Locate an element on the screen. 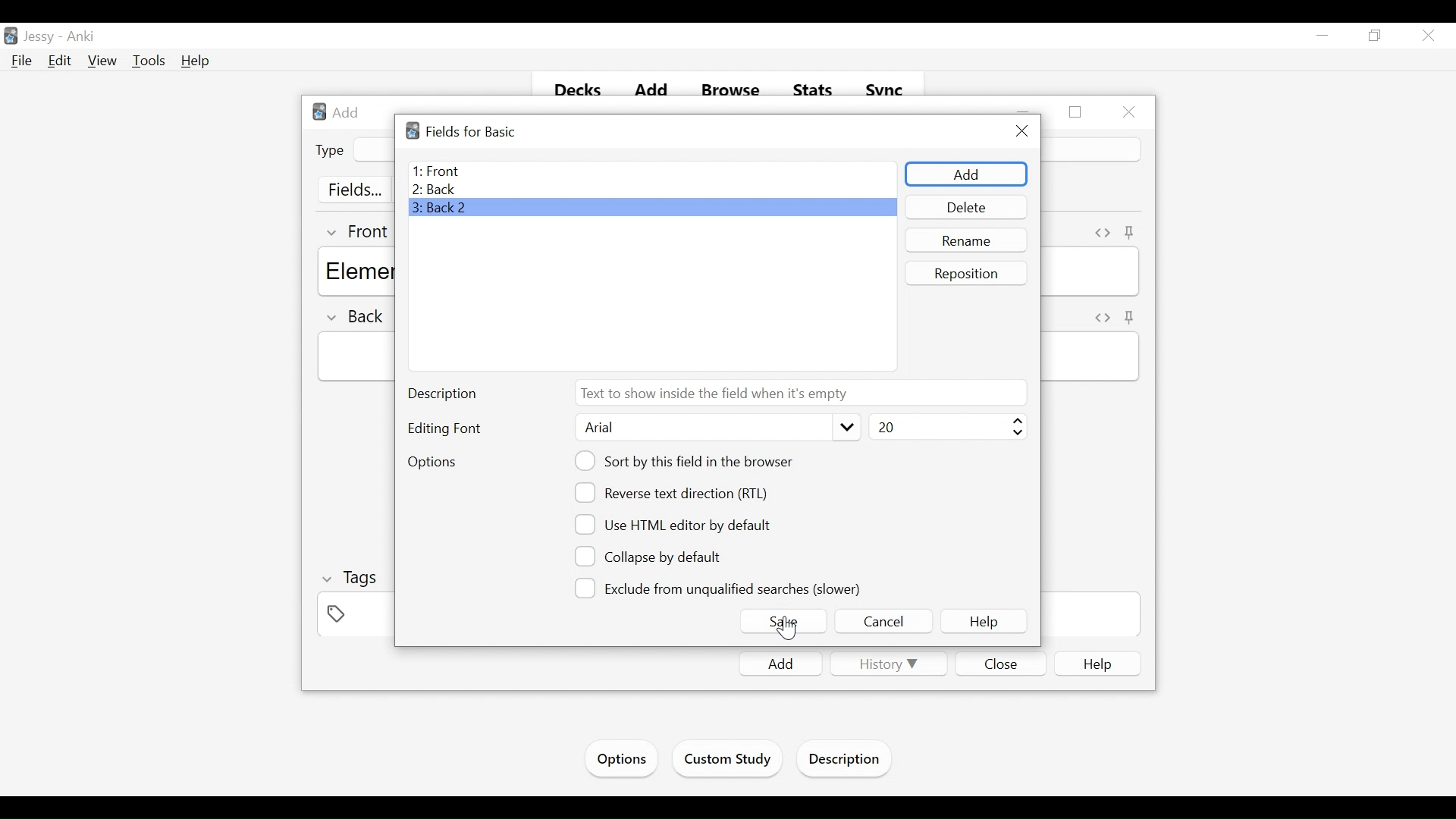 The height and width of the screenshot is (819, 1456). Browse is located at coordinates (733, 91).